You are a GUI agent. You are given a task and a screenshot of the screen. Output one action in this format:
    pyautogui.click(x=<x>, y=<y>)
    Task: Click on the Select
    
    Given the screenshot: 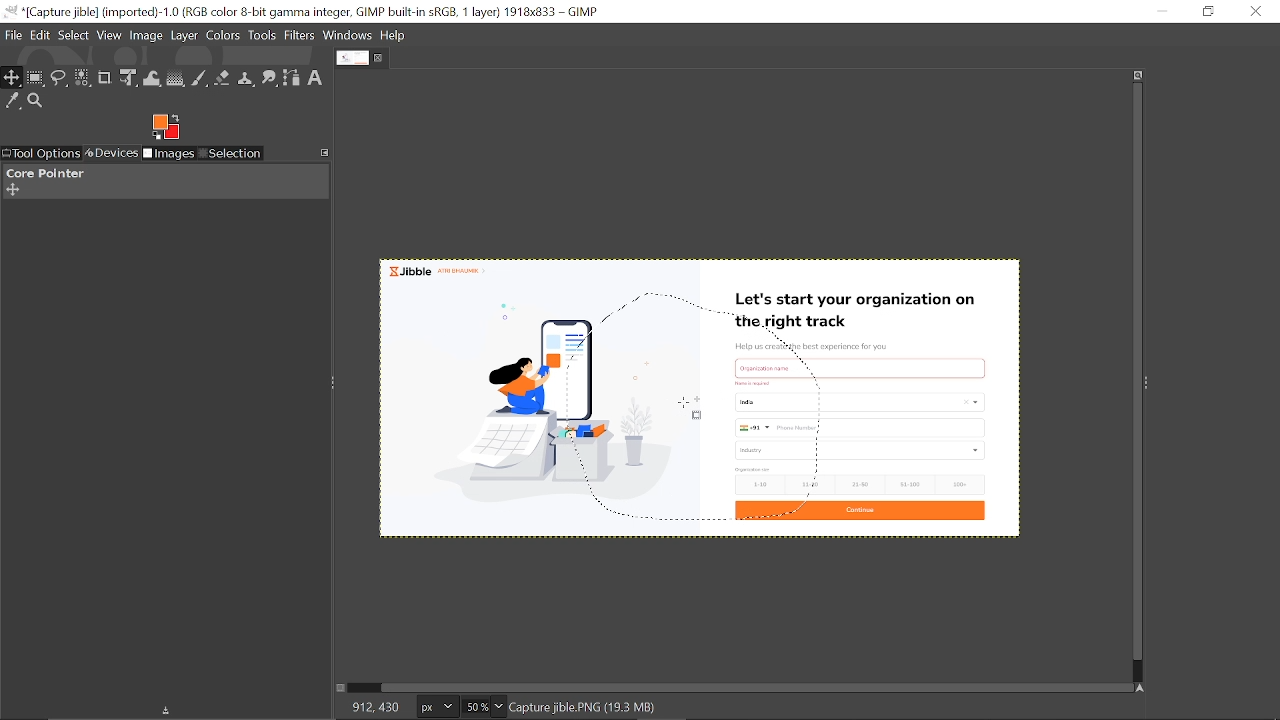 What is the action you would take?
    pyautogui.click(x=75, y=36)
    